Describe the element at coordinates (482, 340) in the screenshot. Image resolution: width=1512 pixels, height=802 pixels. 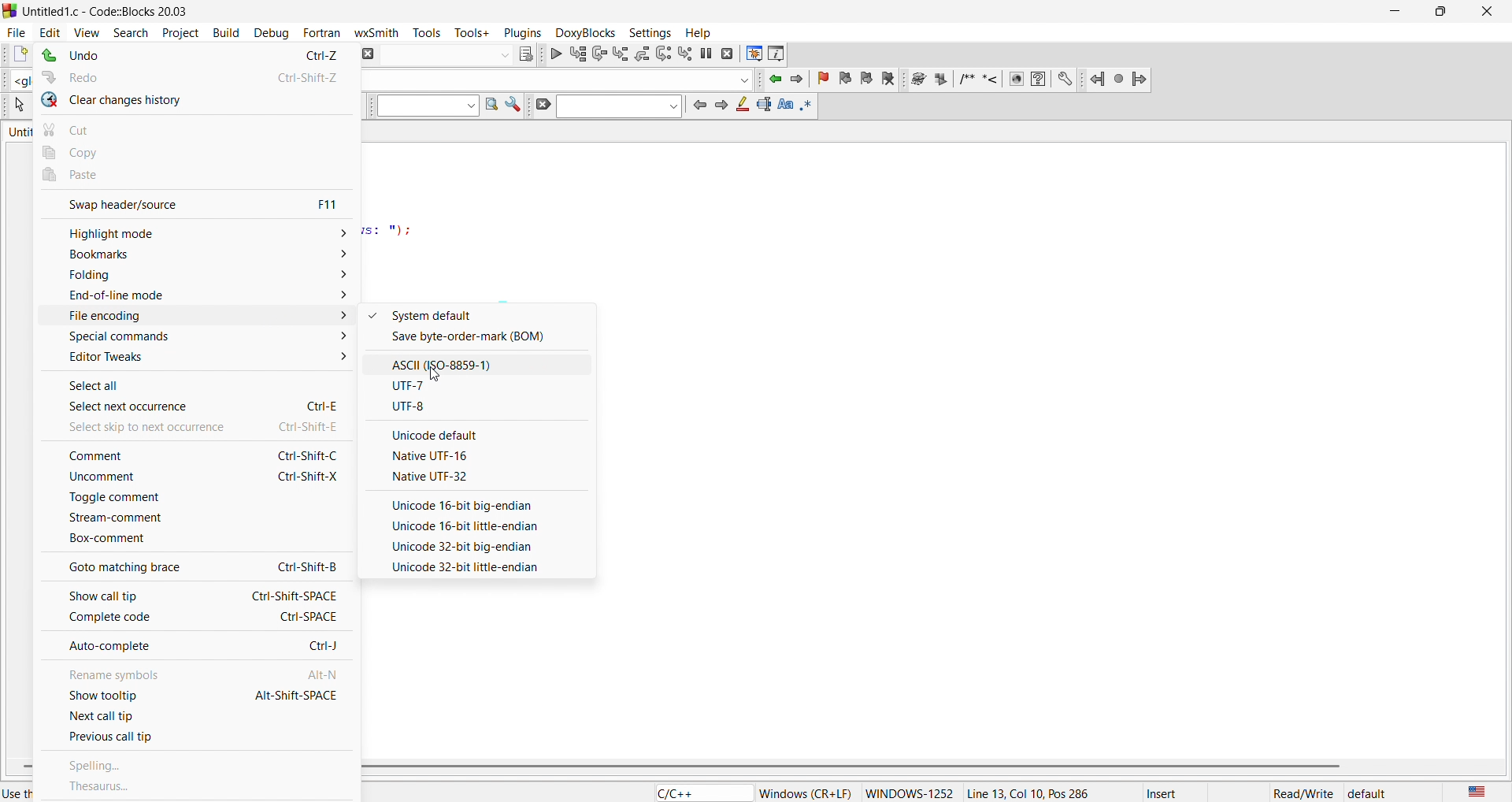
I see `BOM` at that location.